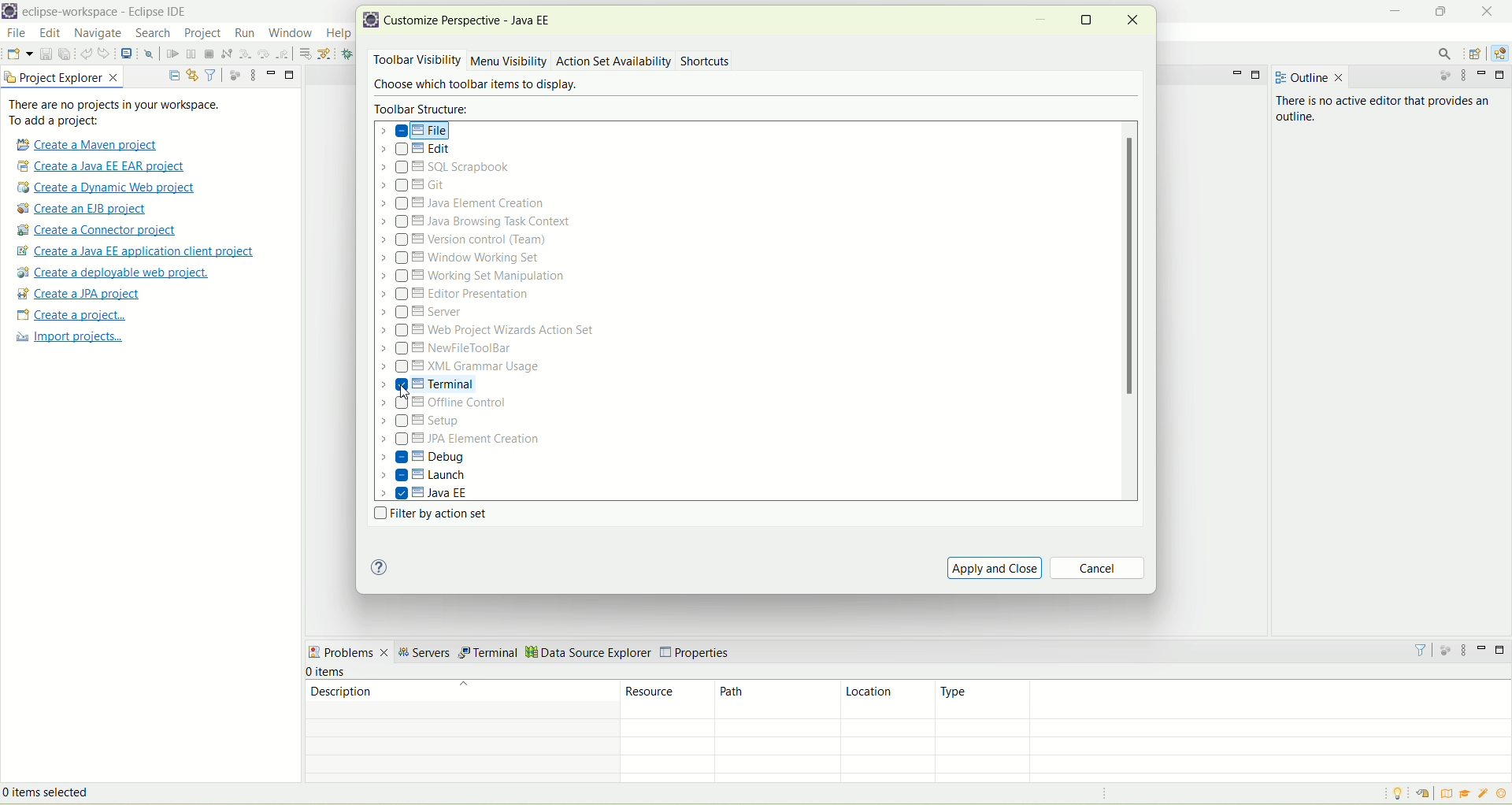 This screenshot has height=805, width=1512. What do you see at coordinates (1395, 794) in the screenshot?
I see `tip of the day` at bounding box center [1395, 794].